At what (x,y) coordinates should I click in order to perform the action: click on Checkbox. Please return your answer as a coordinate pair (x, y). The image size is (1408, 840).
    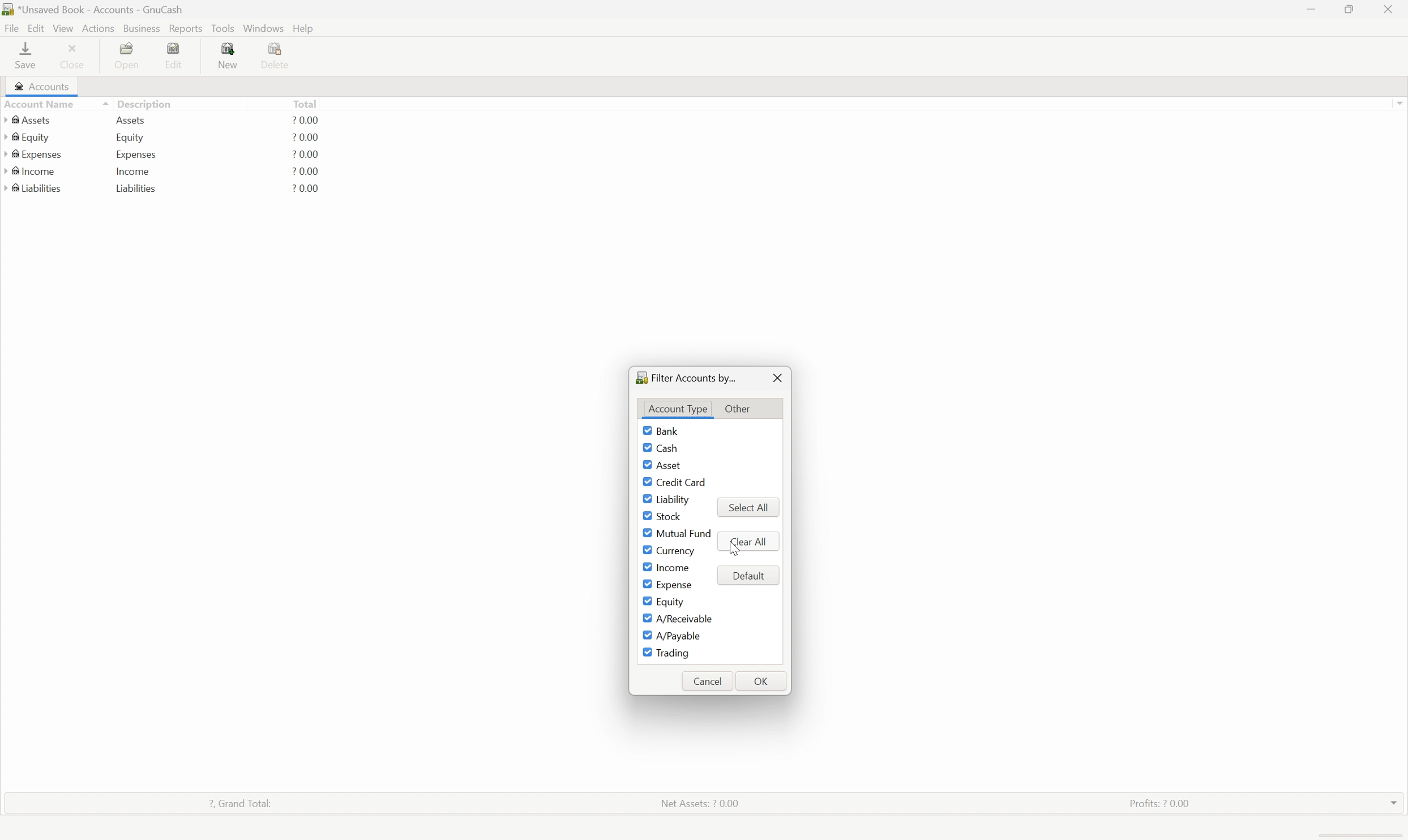
    Looking at the image, I should click on (643, 618).